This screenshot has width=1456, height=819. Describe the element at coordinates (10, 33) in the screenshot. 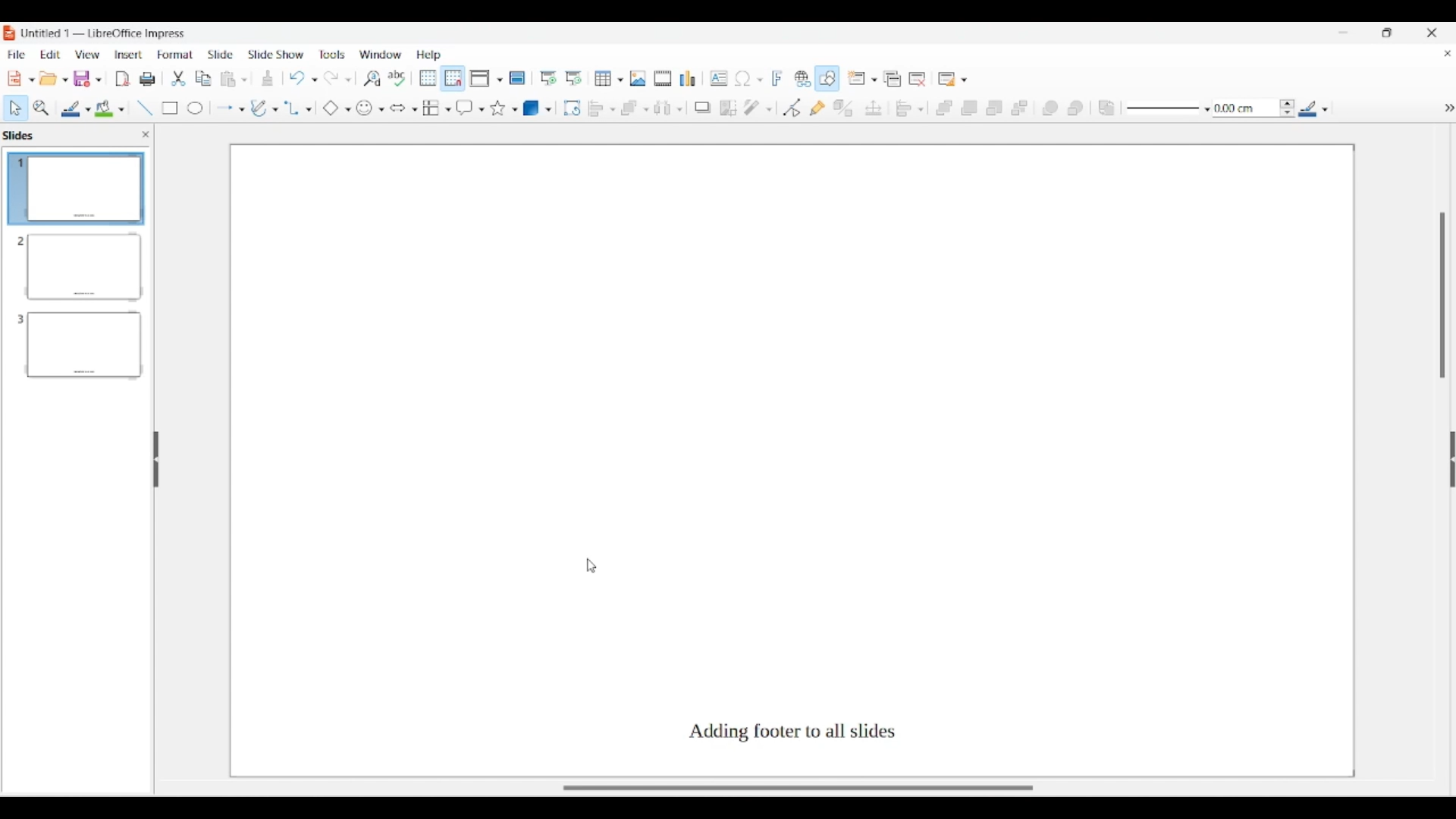

I see `Software logo` at that location.